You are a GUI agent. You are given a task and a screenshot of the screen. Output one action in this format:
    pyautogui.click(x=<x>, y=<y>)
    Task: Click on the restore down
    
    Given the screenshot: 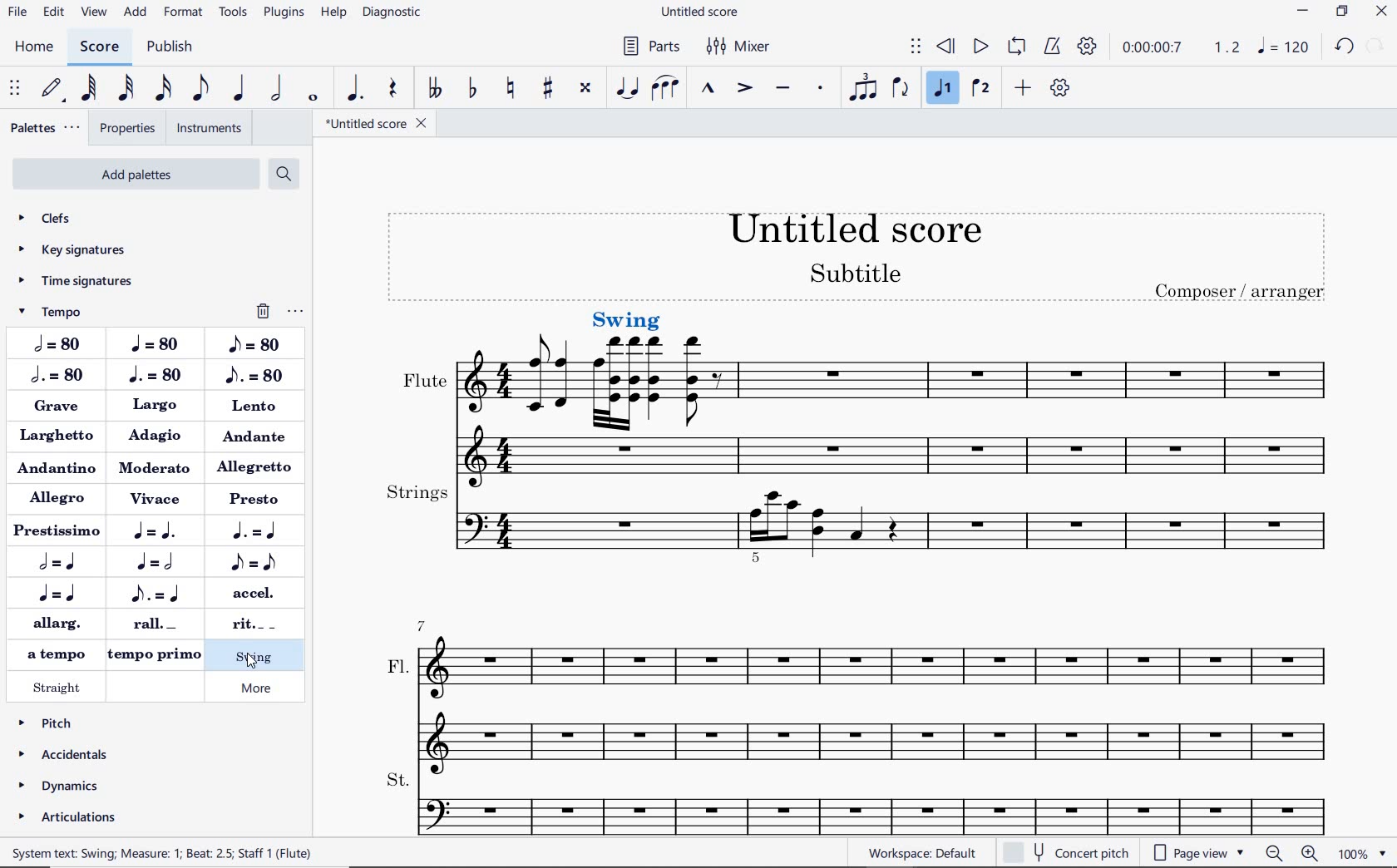 What is the action you would take?
    pyautogui.click(x=1344, y=11)
    